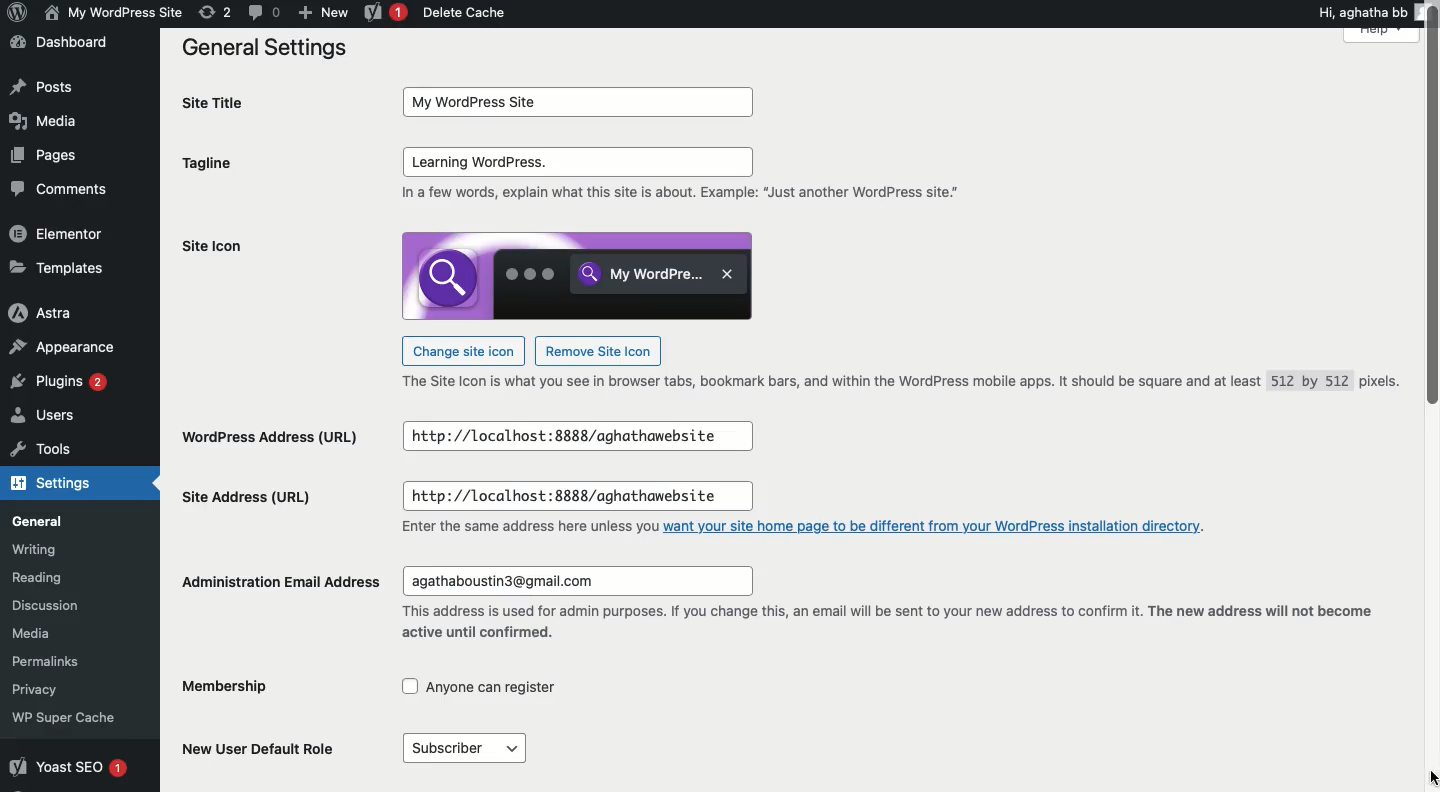 This screenshot has width=1440, height=792. I want to click on agathaboustin3@gmail.com, so click(569, 582).